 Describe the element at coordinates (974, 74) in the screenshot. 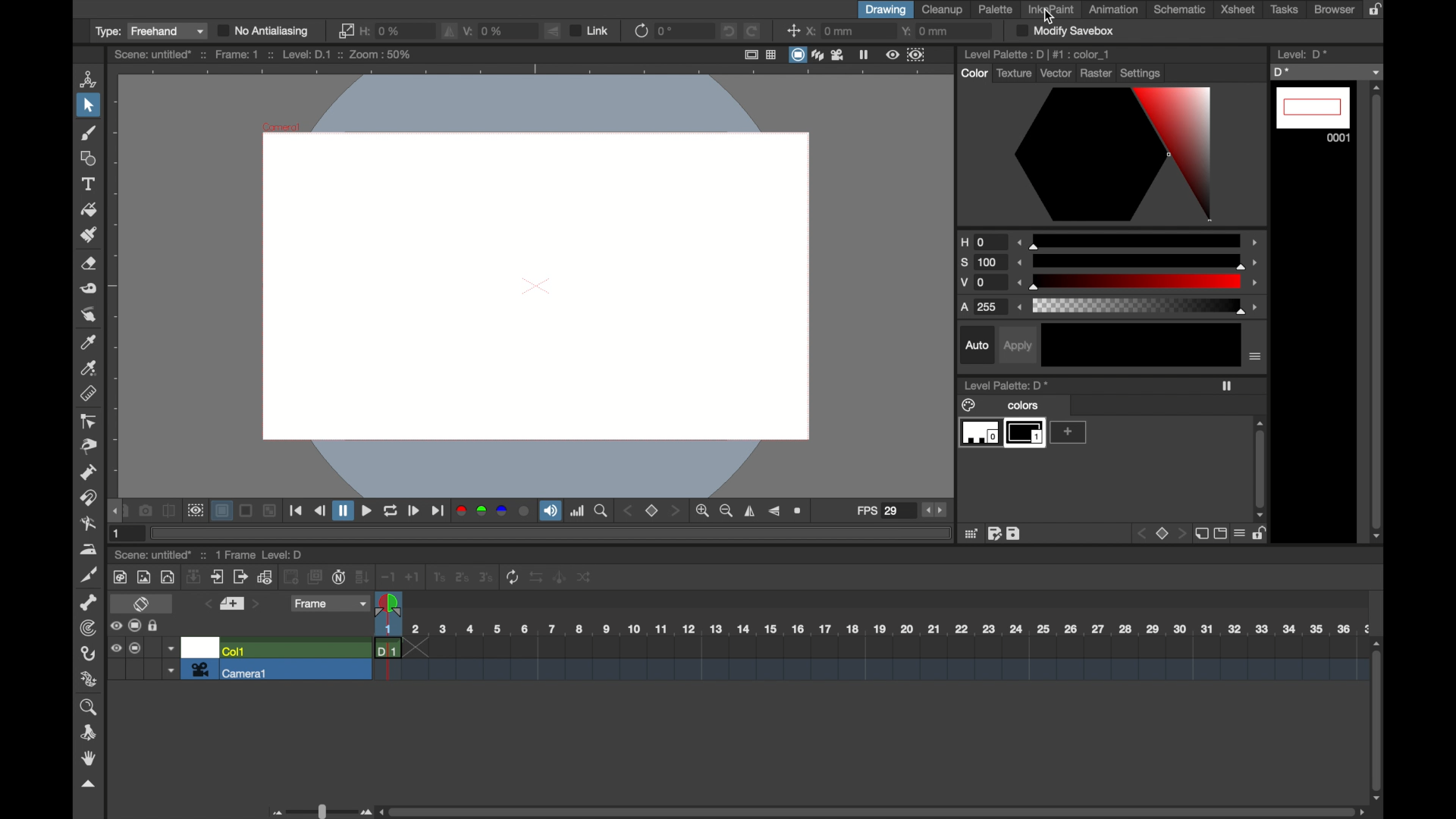

I see `color` at that location.